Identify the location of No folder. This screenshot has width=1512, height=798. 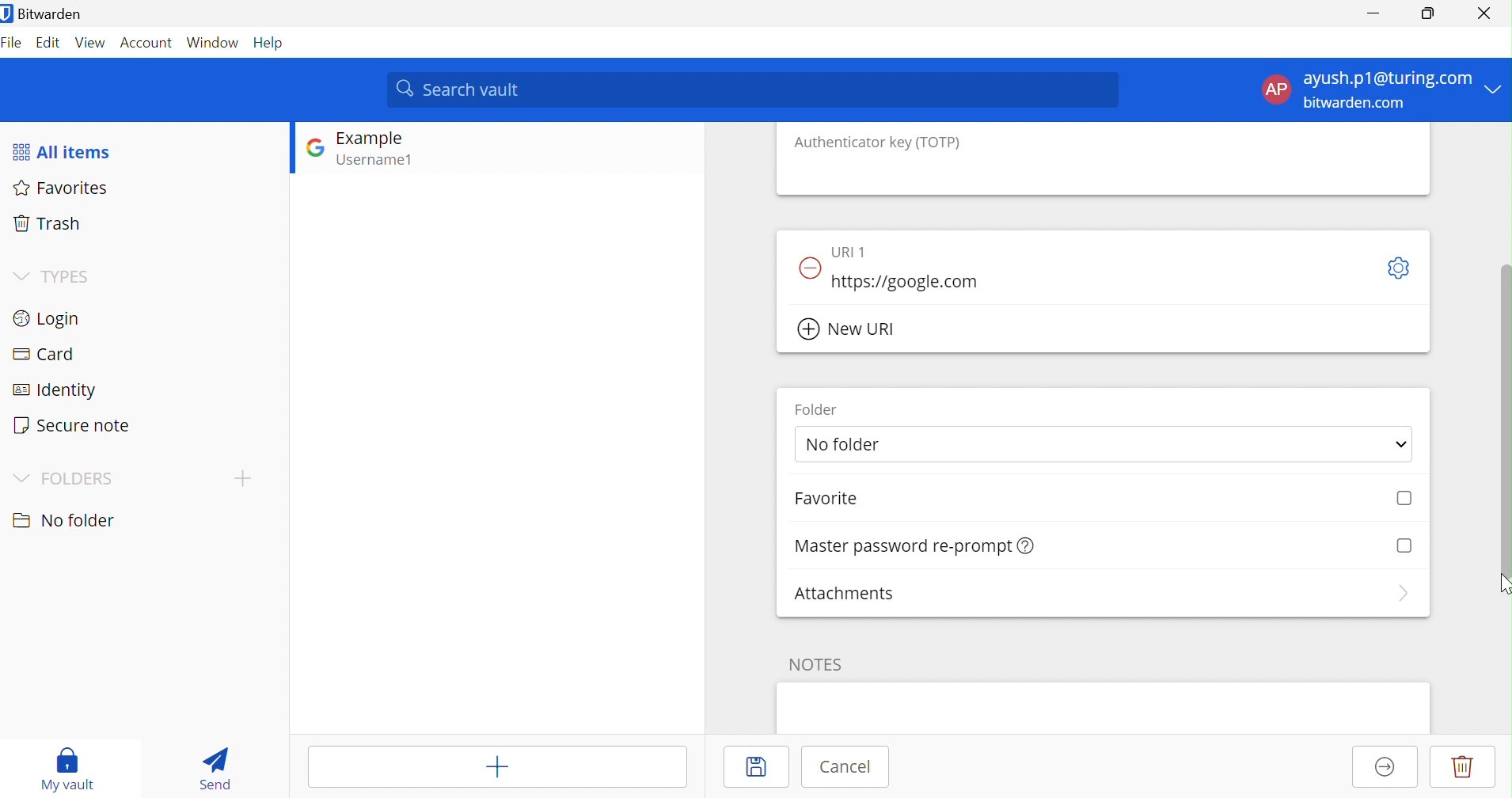
(62, 520).